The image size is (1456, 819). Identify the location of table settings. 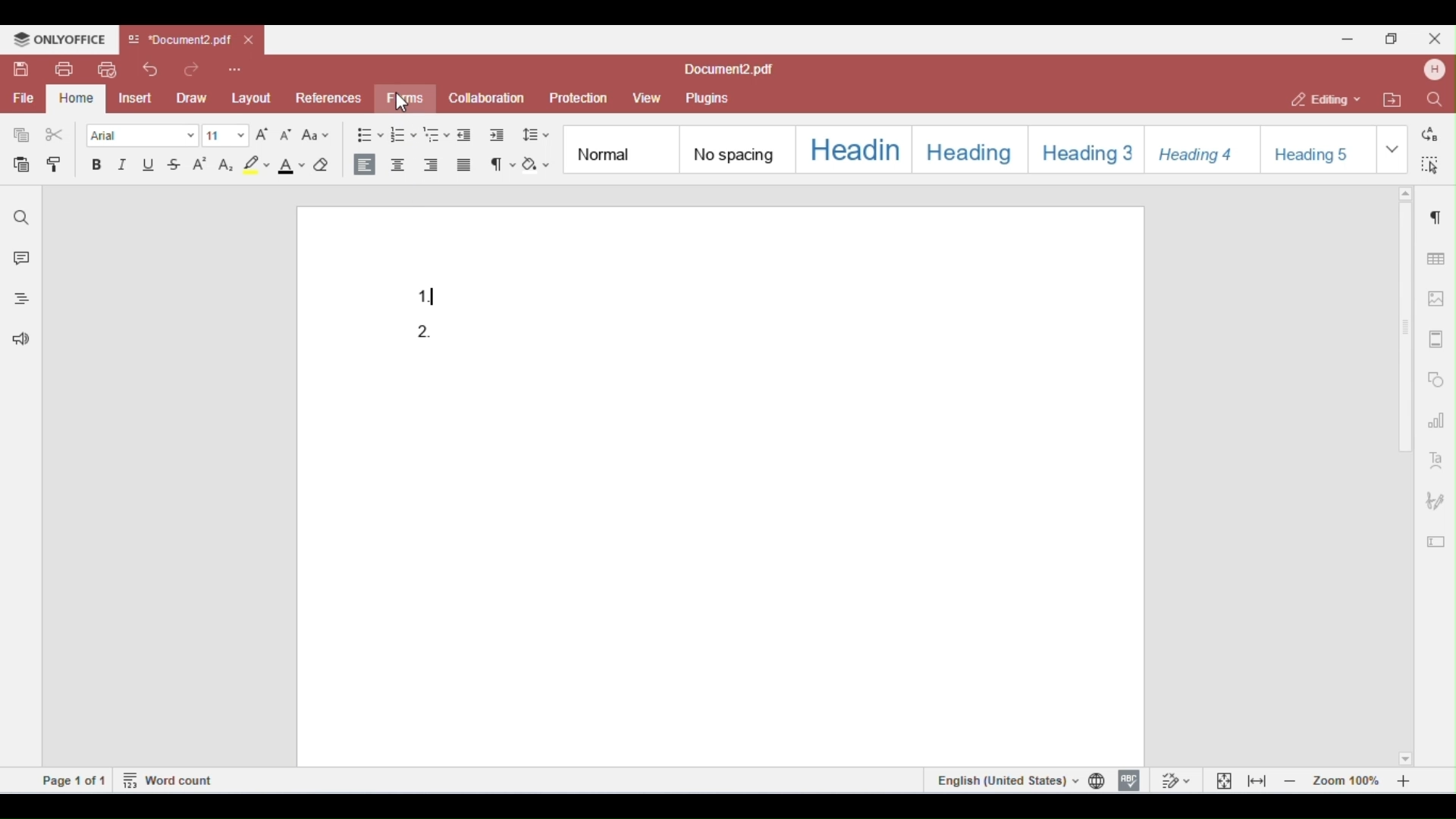
(1434, 256).